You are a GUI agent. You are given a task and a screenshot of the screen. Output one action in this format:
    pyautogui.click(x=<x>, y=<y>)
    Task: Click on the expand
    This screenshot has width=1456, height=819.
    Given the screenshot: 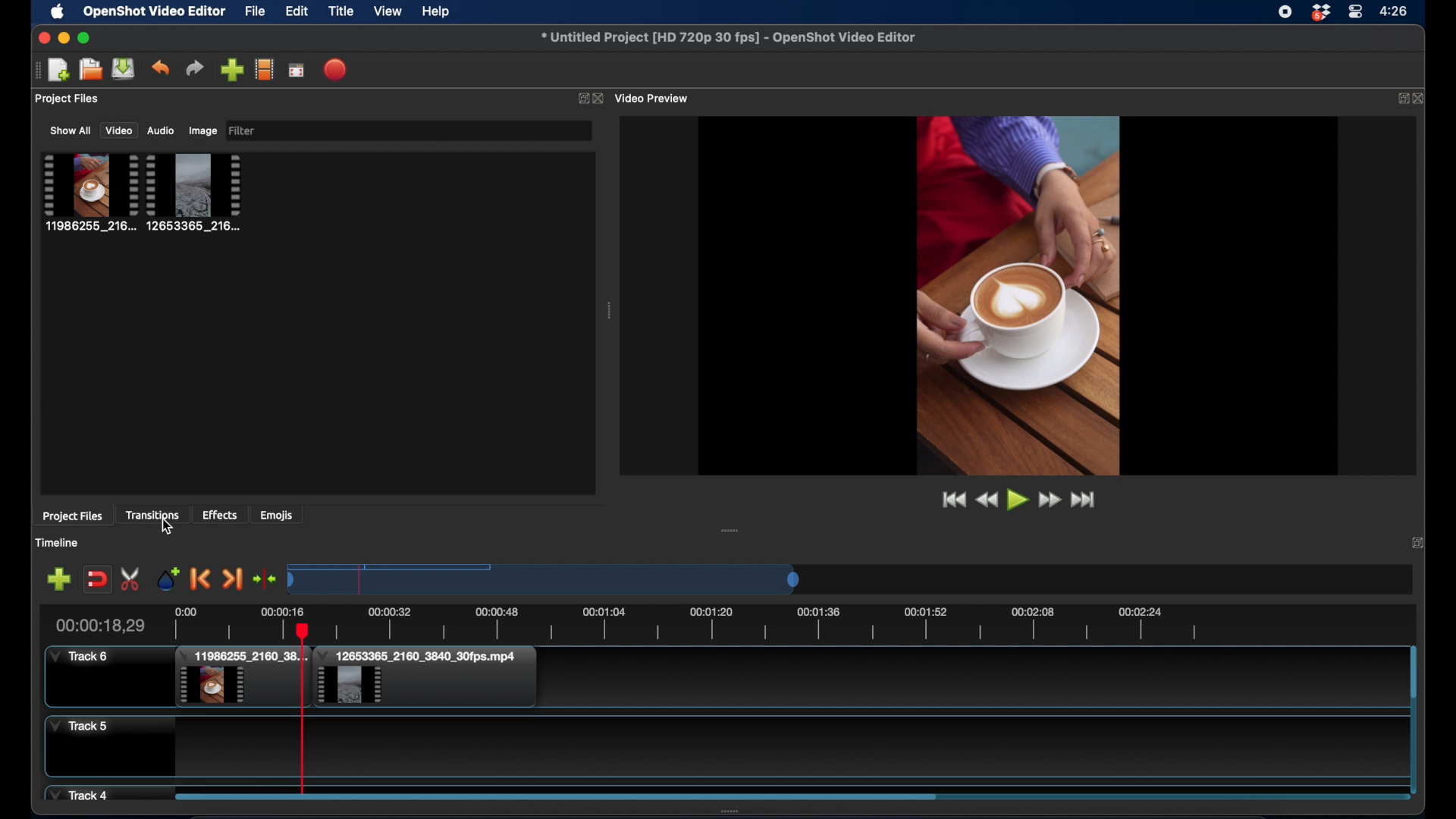 What is the action you would take?
    pyautogui.click(x=1418, y=544)
    